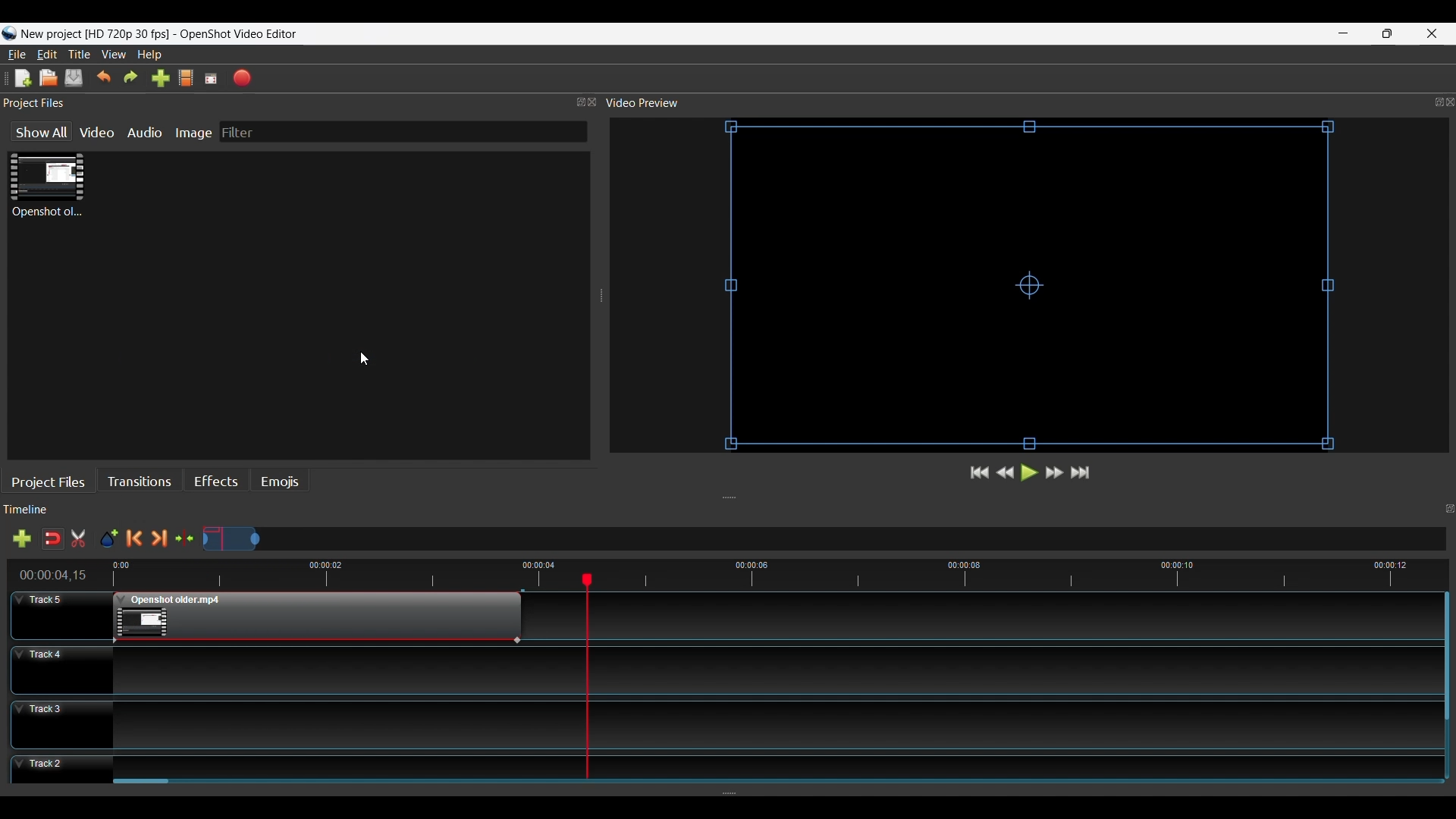  I want to click on Jump to Forward, so click(980, 474).